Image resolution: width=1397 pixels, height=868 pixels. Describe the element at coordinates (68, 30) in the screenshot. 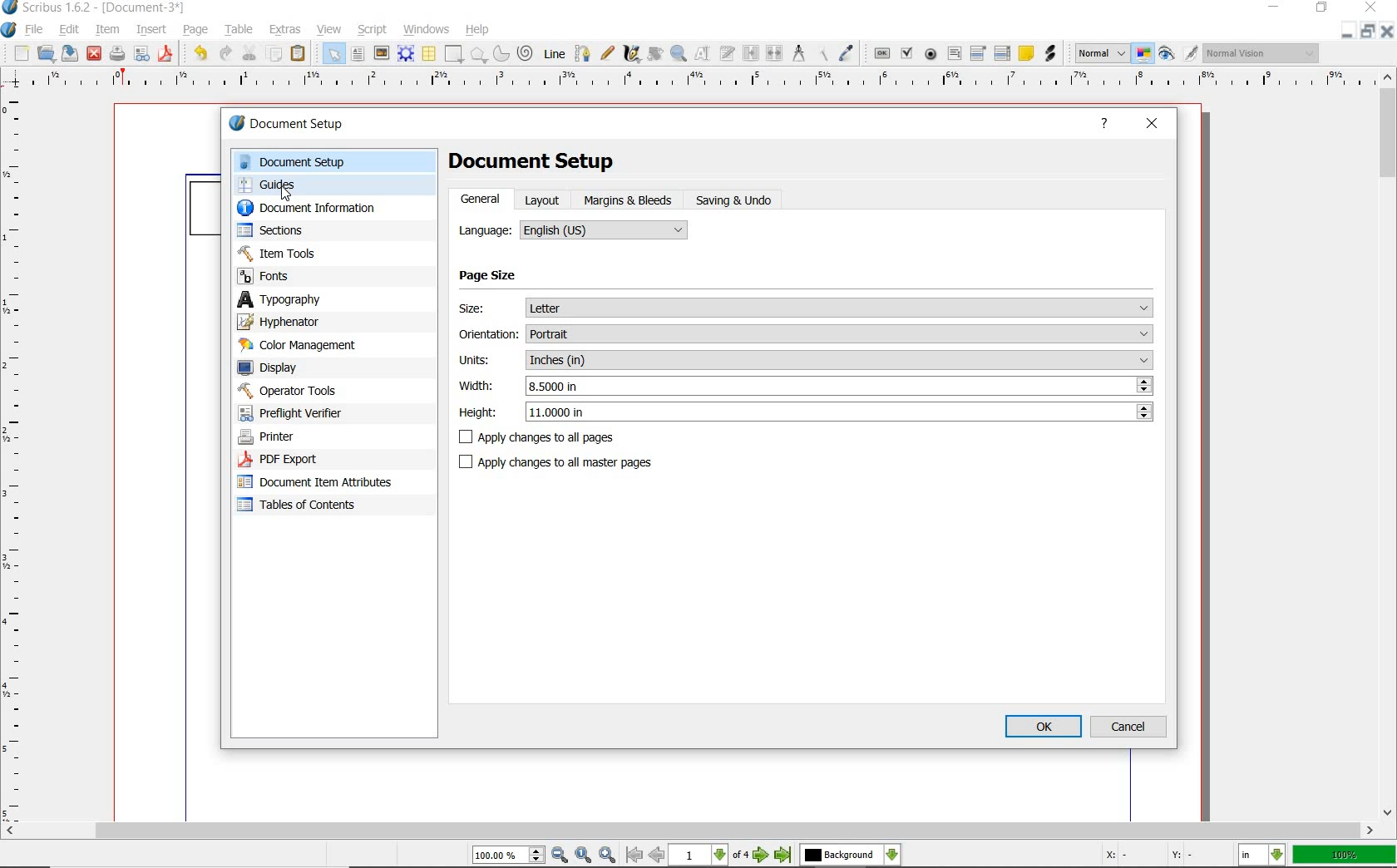

I see `edit` at that location.